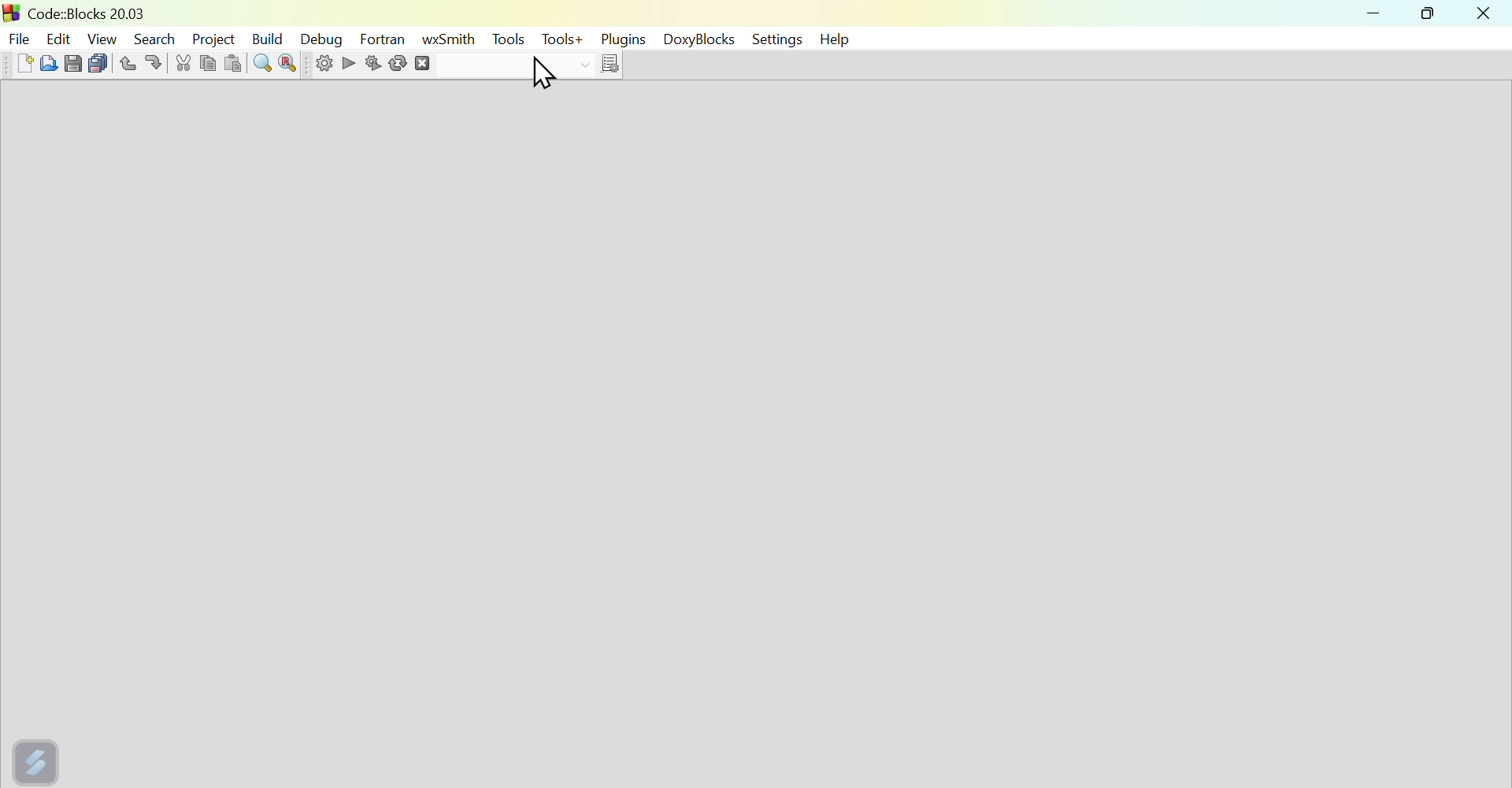  I want to click on Doxyblocks, so click(699, 41).